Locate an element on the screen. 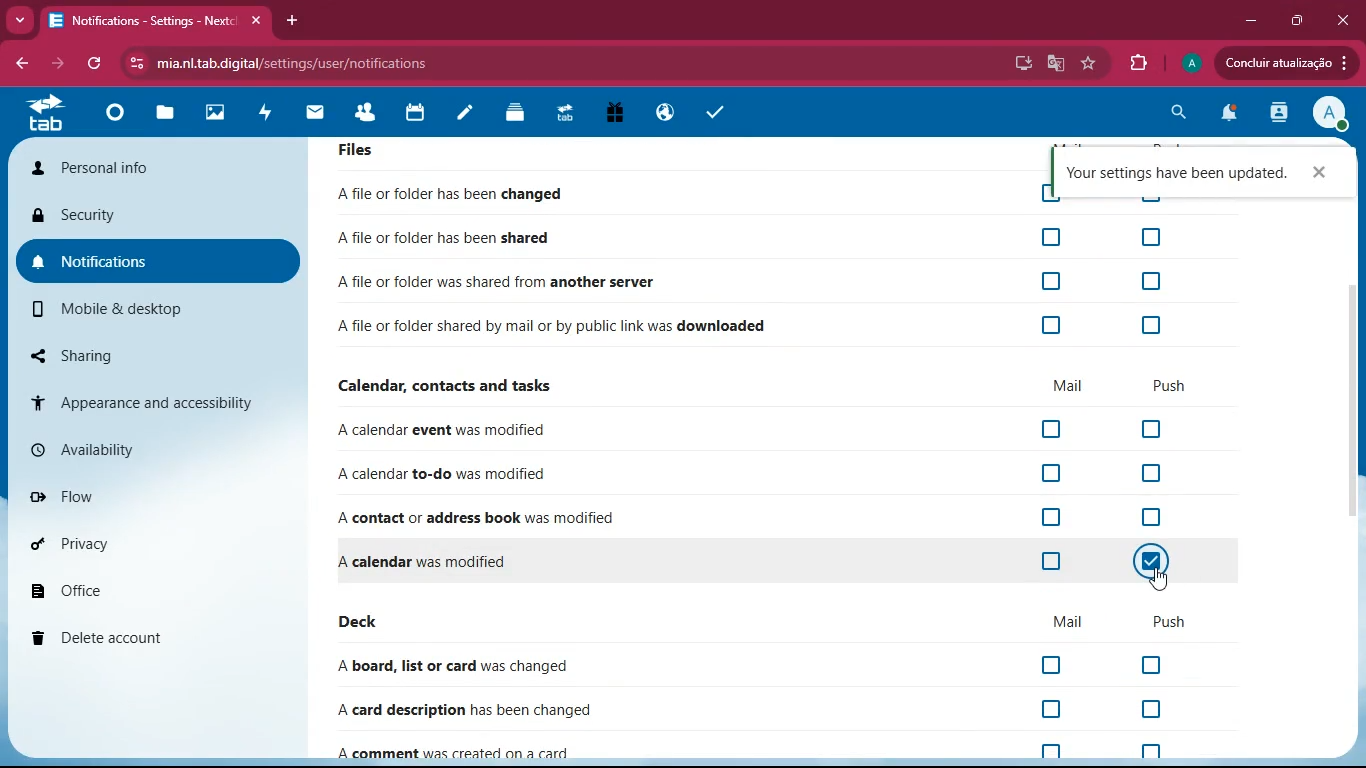  off is located at coordinates (1150, 710).